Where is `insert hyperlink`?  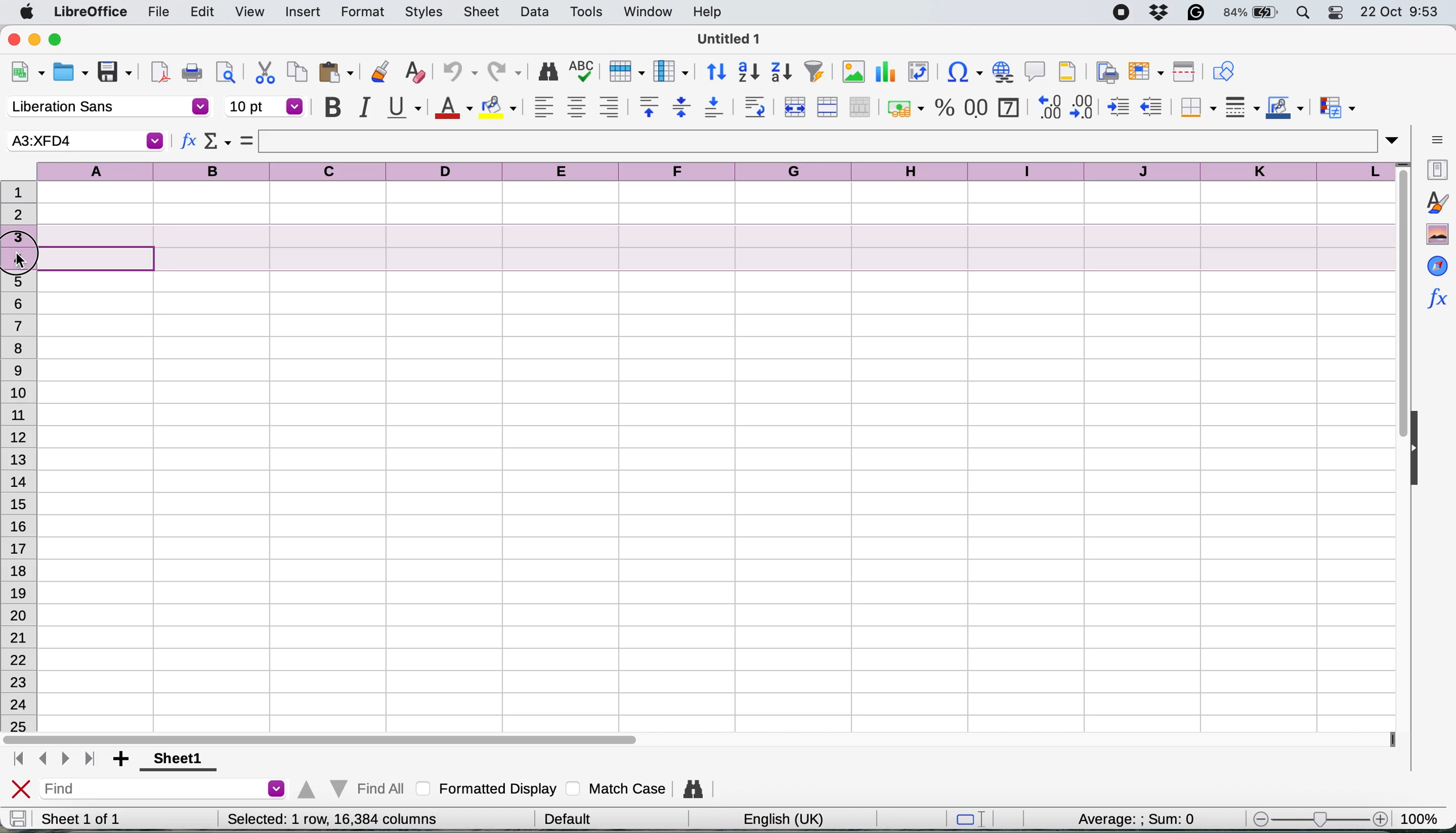
insert hyperlink is located at coordinates (960, 74).